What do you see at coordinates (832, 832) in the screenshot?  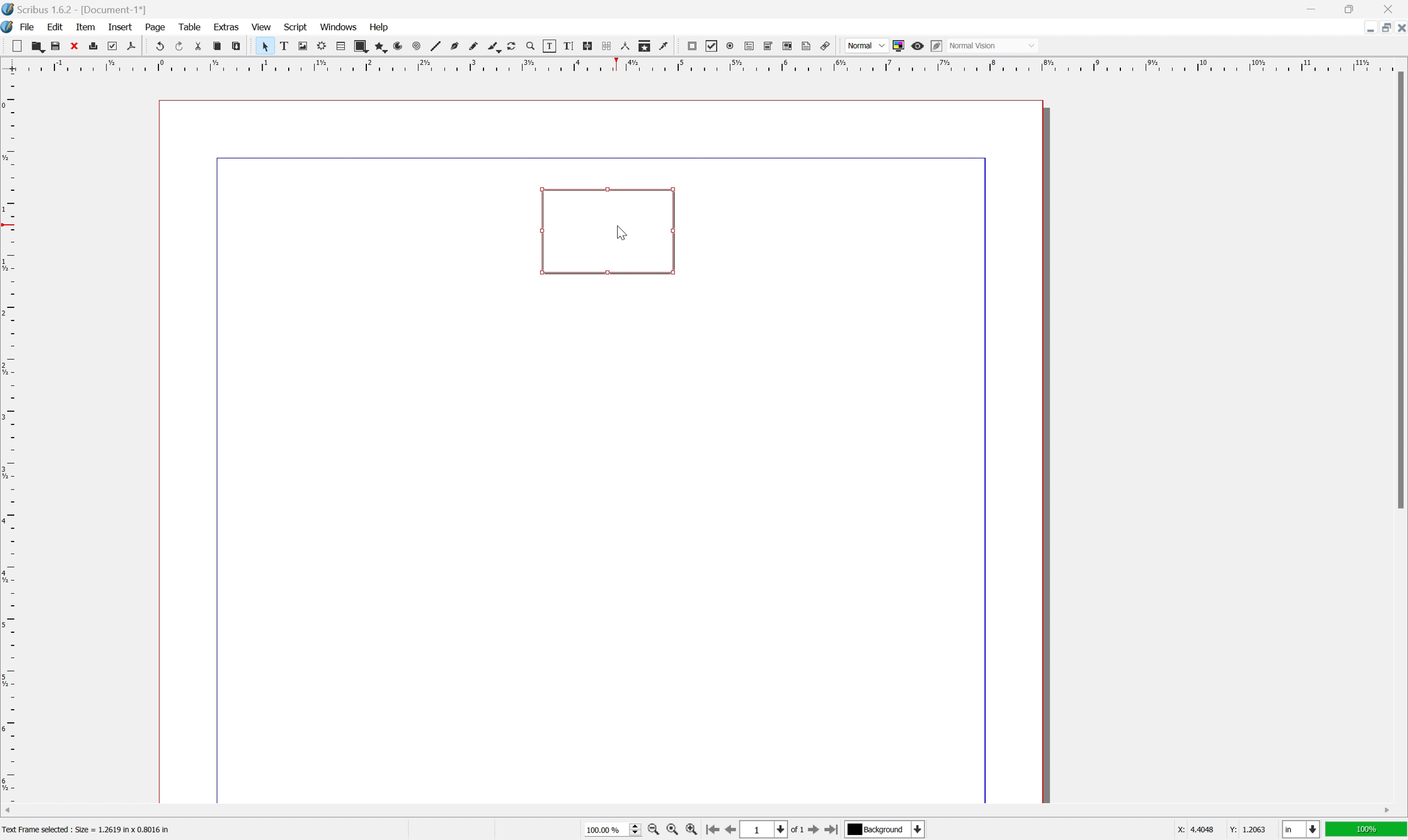 I see `go to last page` at bounding box center [832, 832].